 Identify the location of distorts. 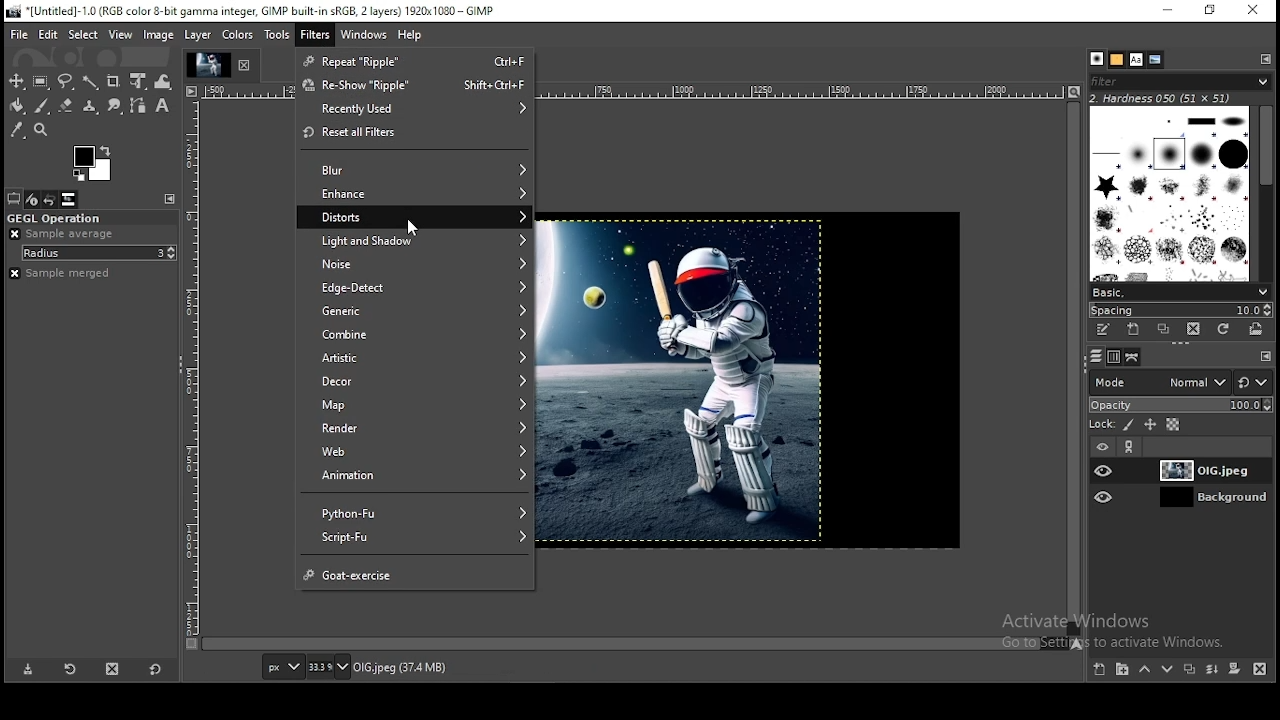
(425, 218).